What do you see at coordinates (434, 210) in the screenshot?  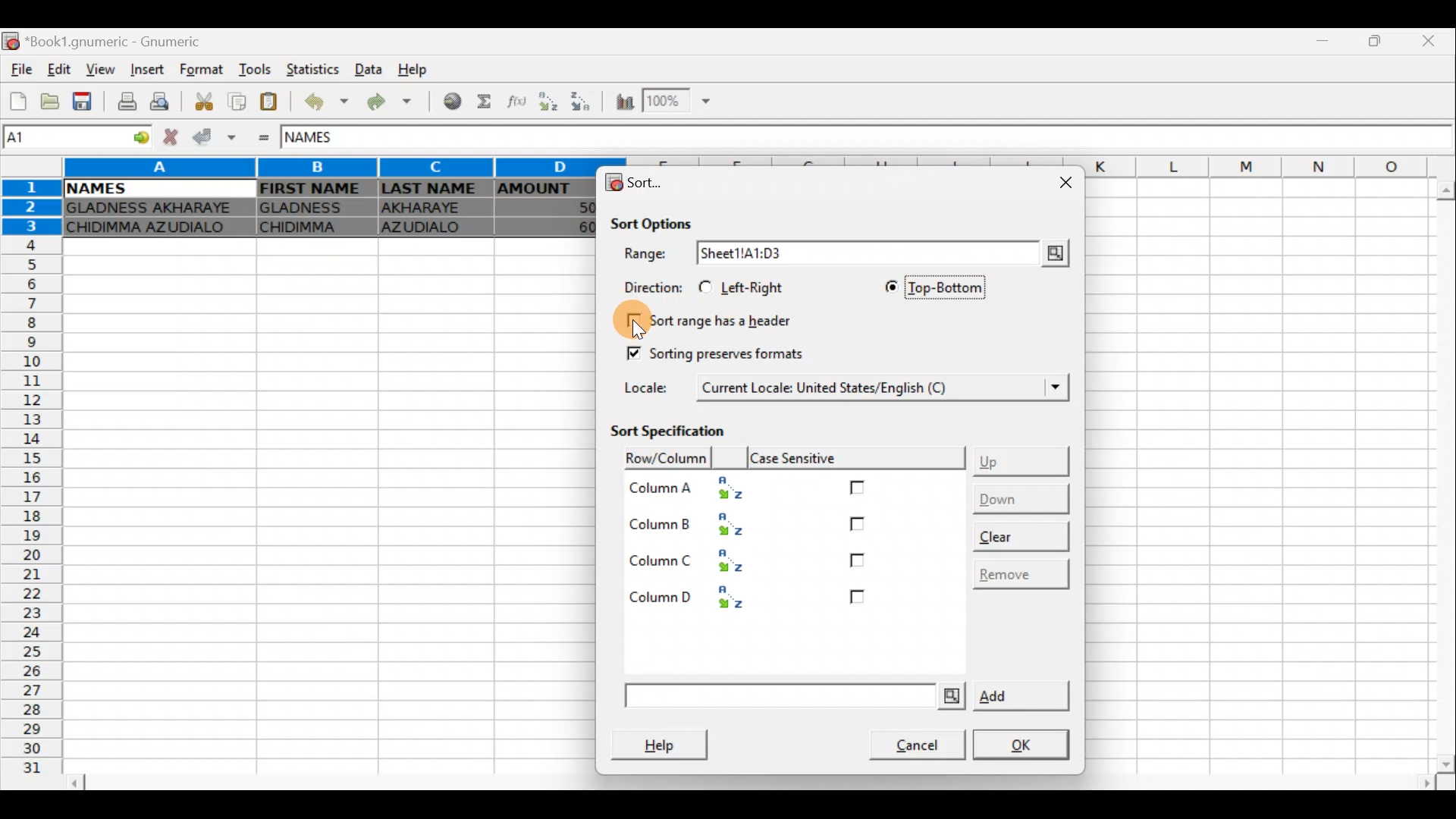 I see `AKHARAYE` at bounding box center [434, 210].